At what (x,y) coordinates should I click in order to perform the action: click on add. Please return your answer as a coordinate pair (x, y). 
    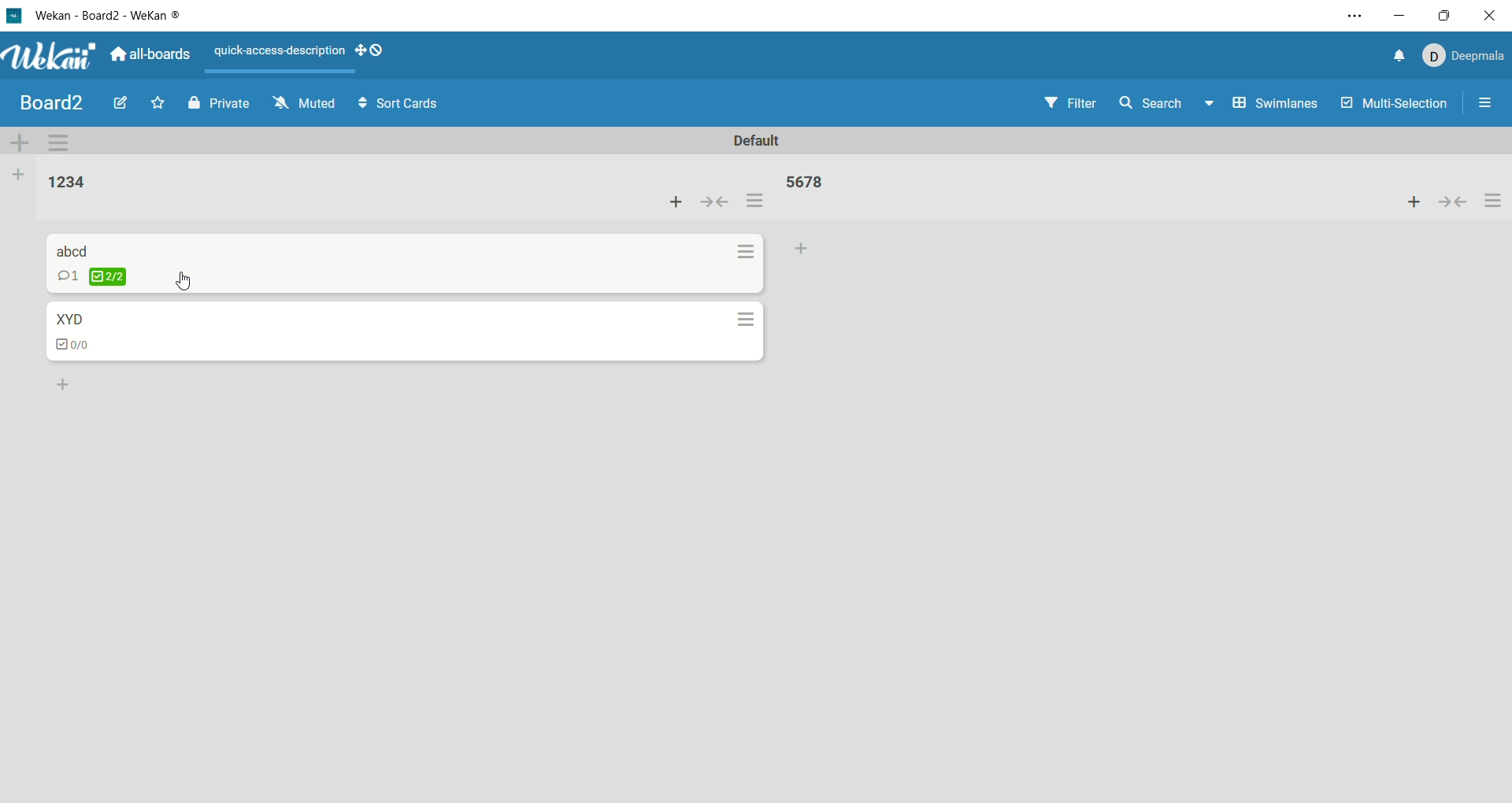
    Looking at the image, I should click on (65, 382).